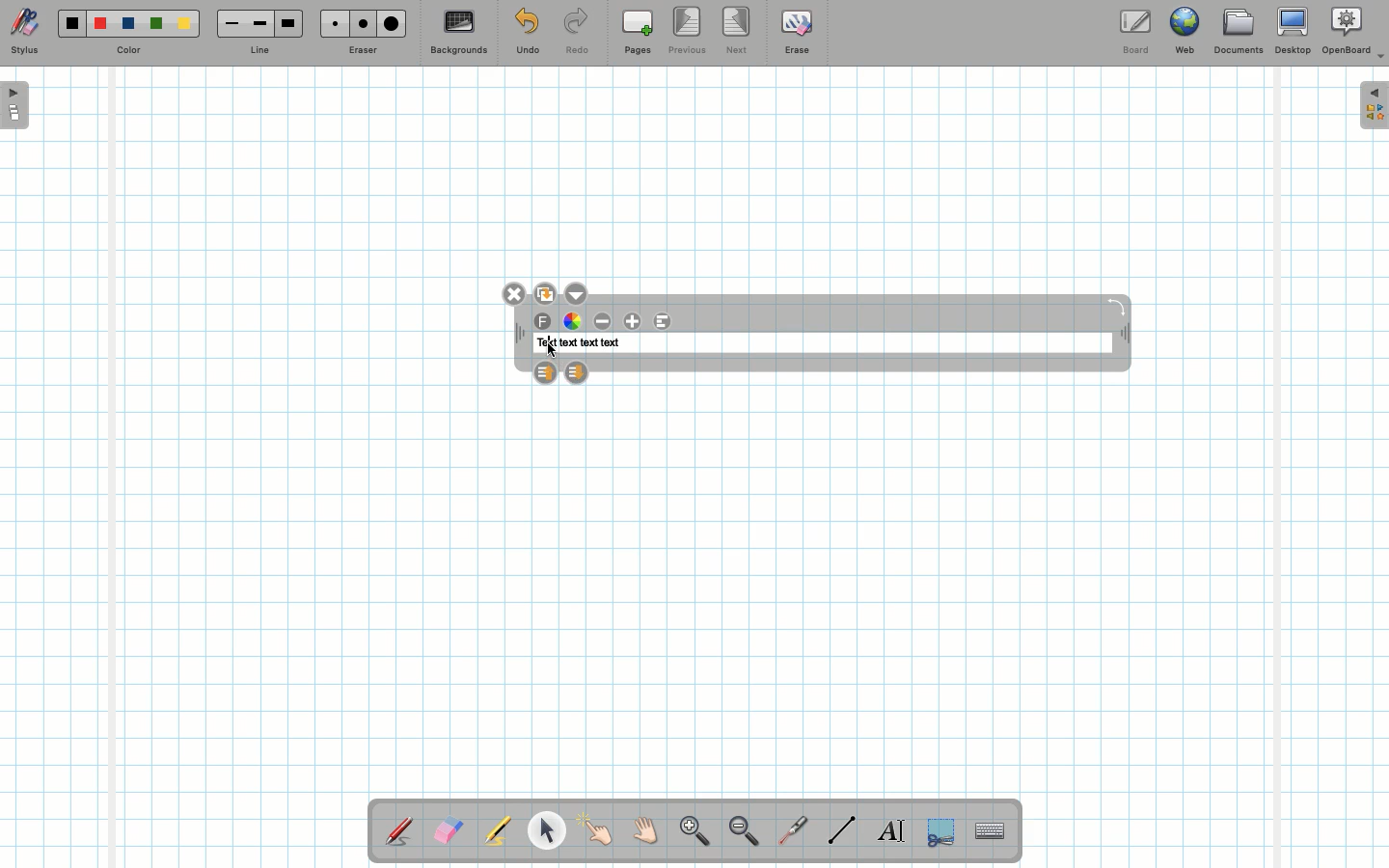 Image resolution: width=1389 pixels, height=868 pixels. I want to click on Green, so click(156, 25).